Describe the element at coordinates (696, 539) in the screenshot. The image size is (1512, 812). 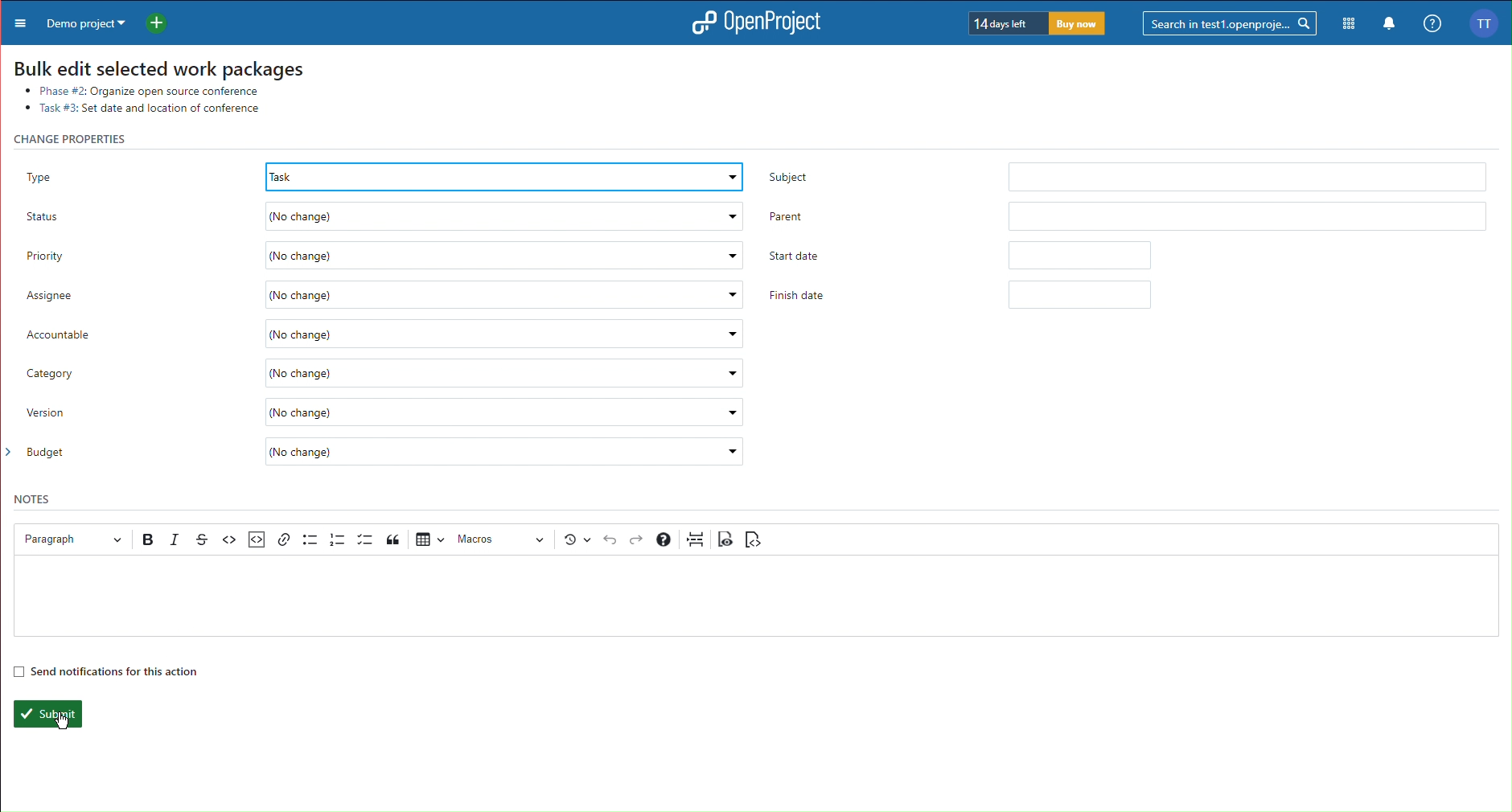
I see `Page break` at that location.